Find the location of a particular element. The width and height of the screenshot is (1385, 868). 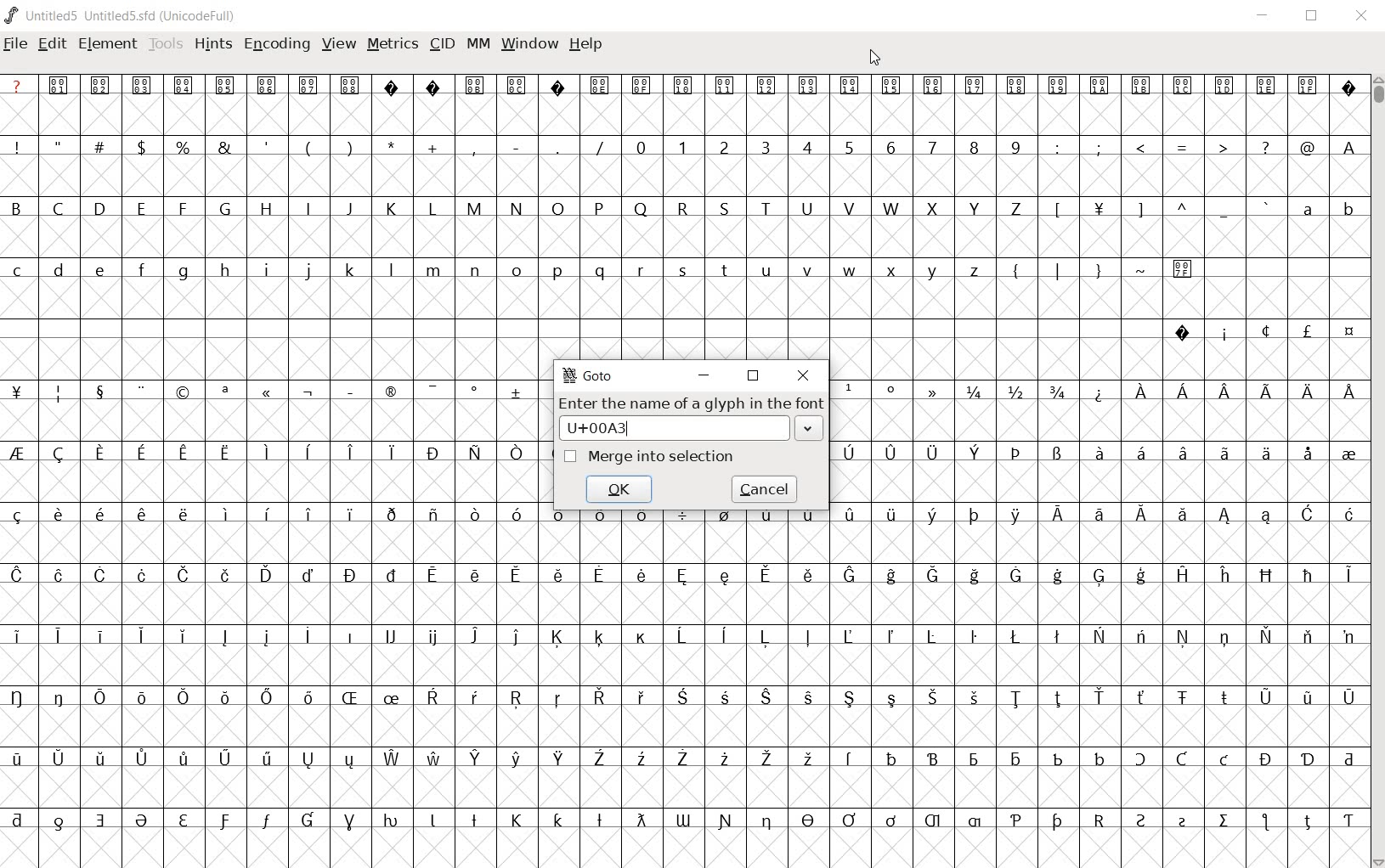

Symbol is located at coordinates (308, 759).